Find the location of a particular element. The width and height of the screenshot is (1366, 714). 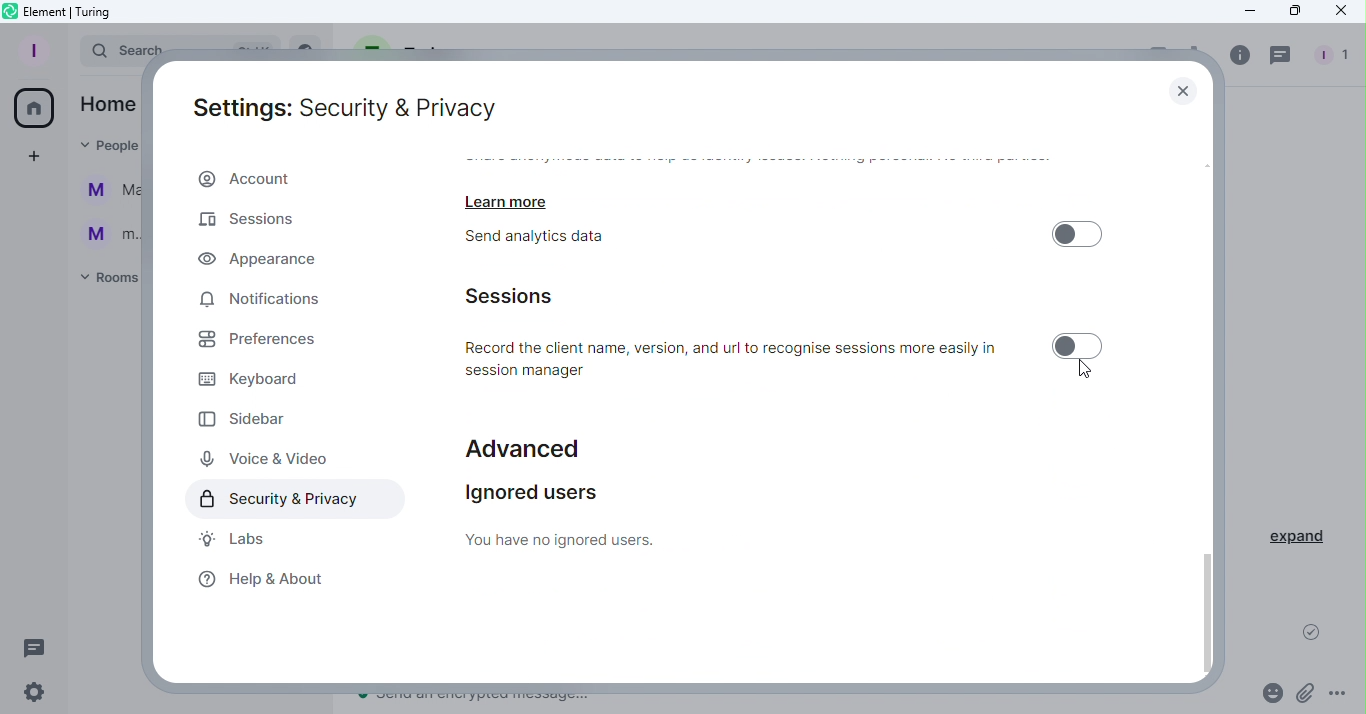

Appearance is located at coordinates (276, 261).